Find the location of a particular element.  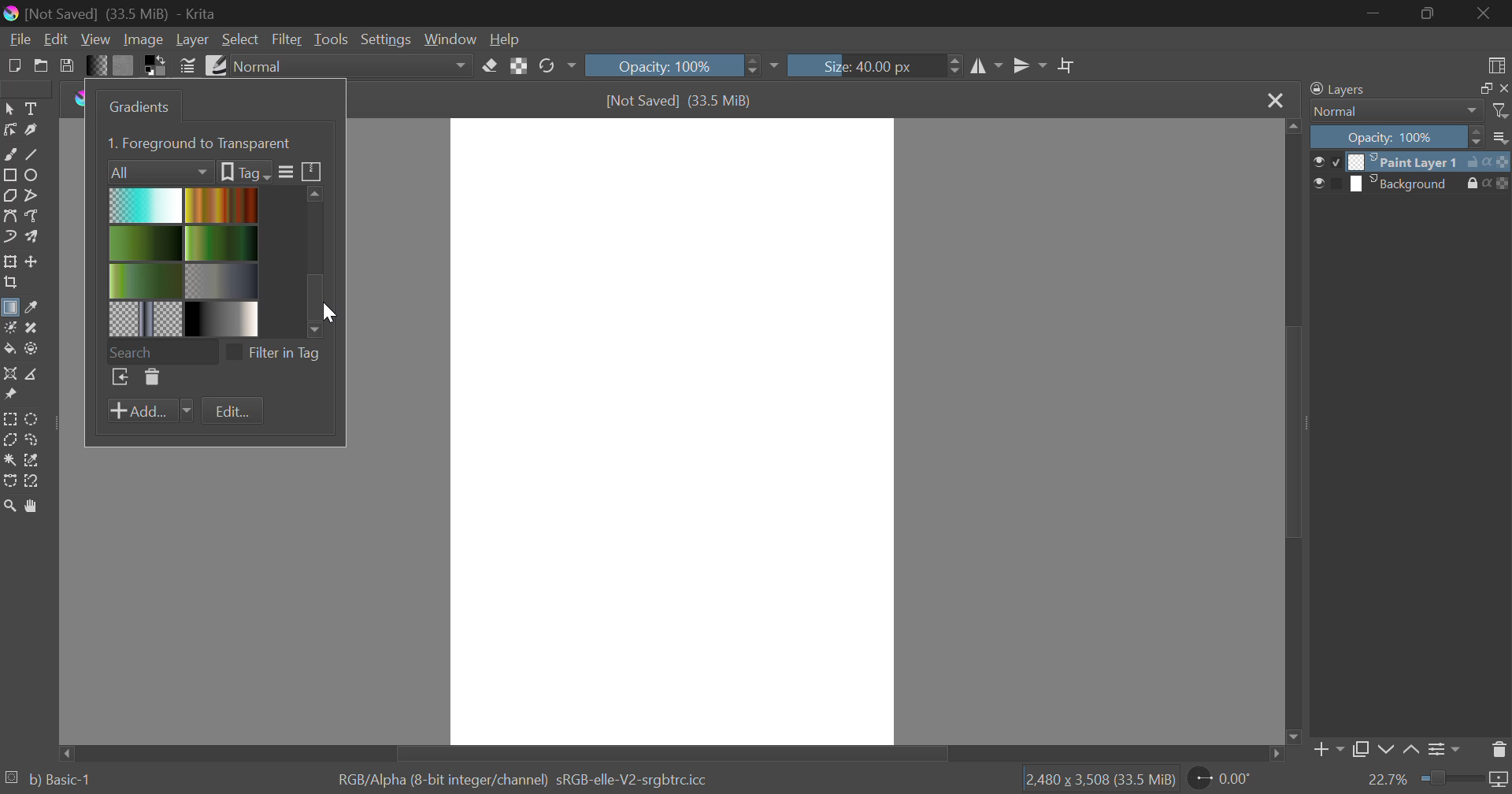

Colors in use is located at coordinates (156, 65).